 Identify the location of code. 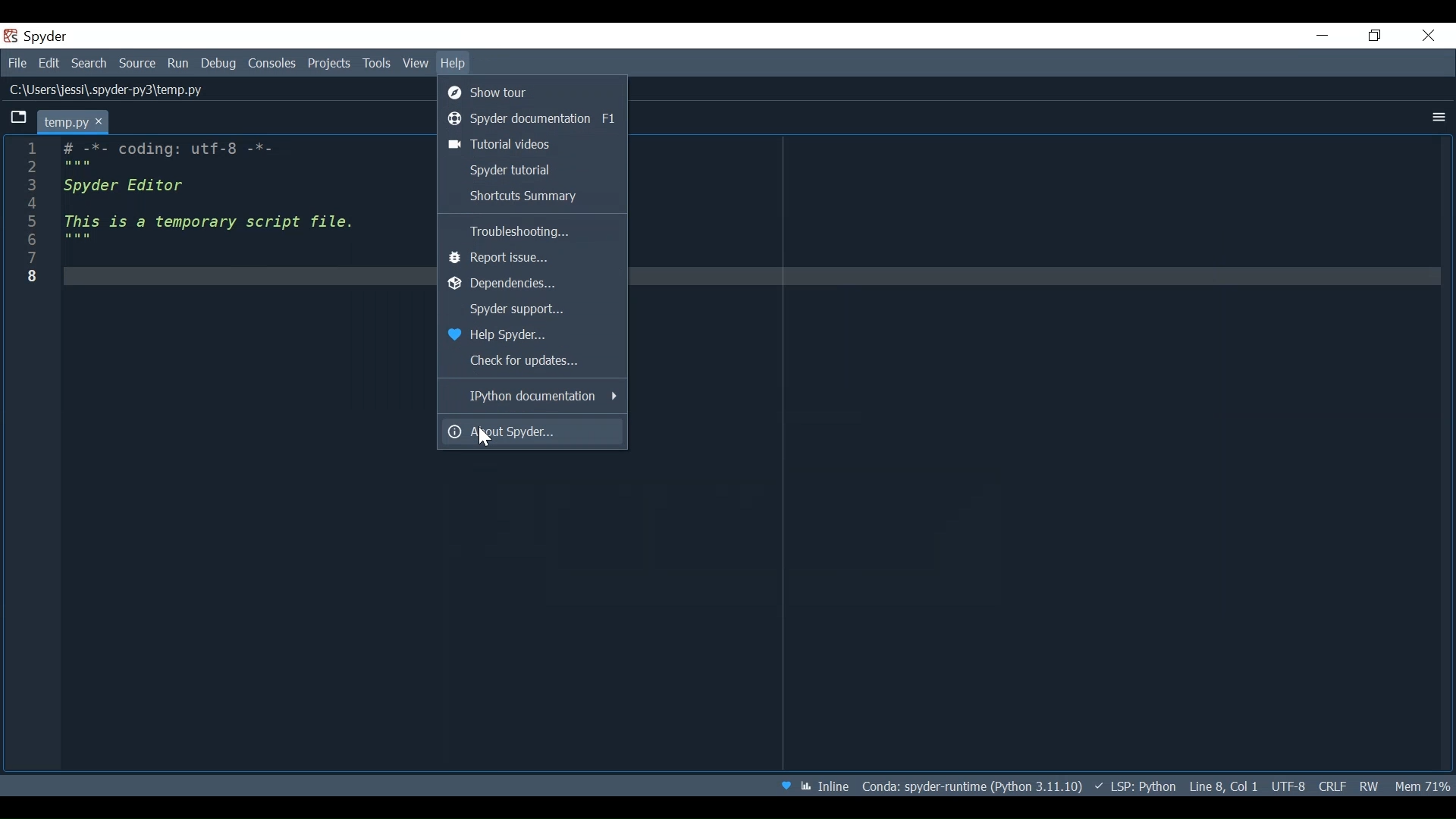
(234, 199).